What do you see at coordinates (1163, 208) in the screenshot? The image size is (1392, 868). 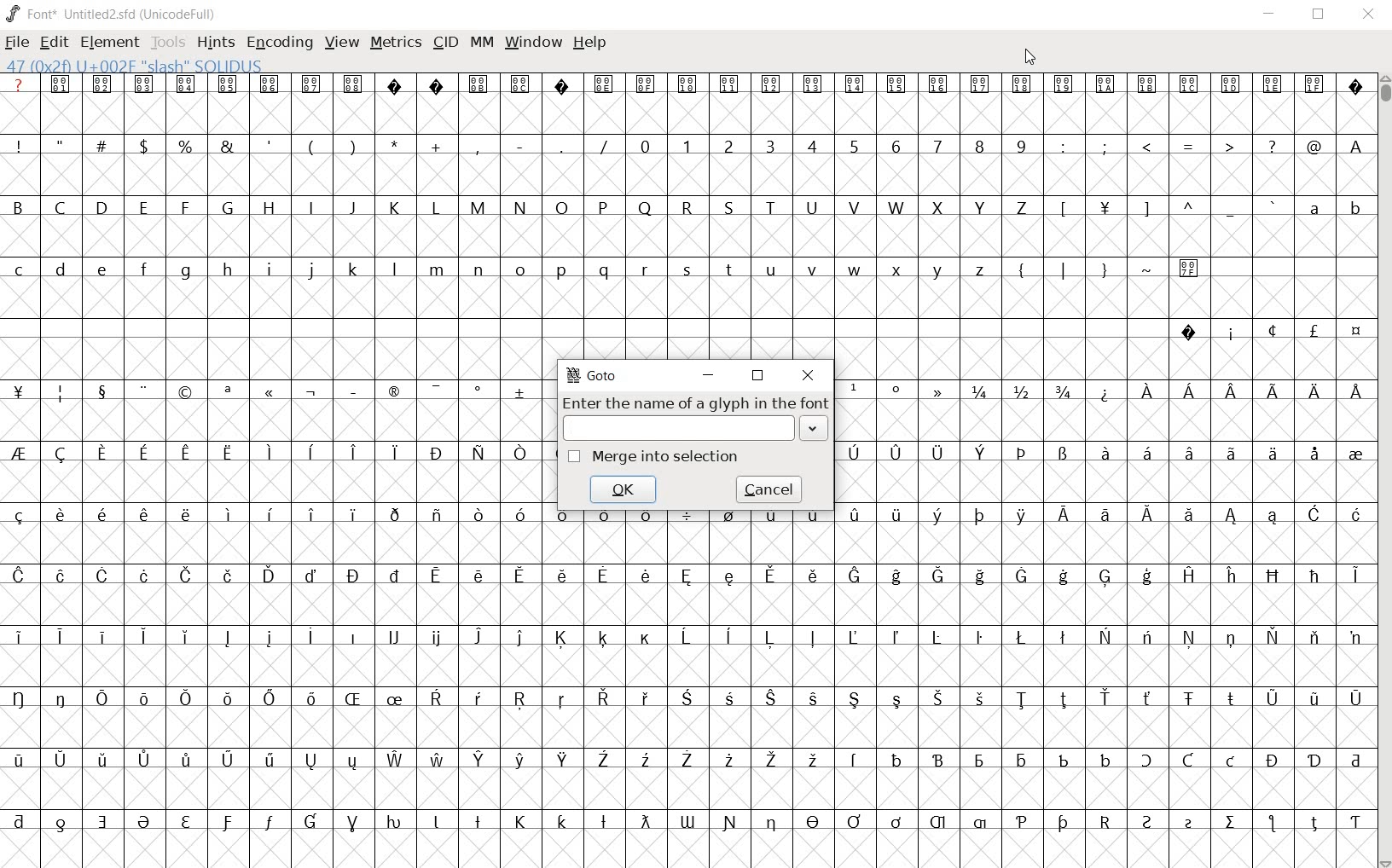 I see `symbols` at bounding box center [1163, 208].